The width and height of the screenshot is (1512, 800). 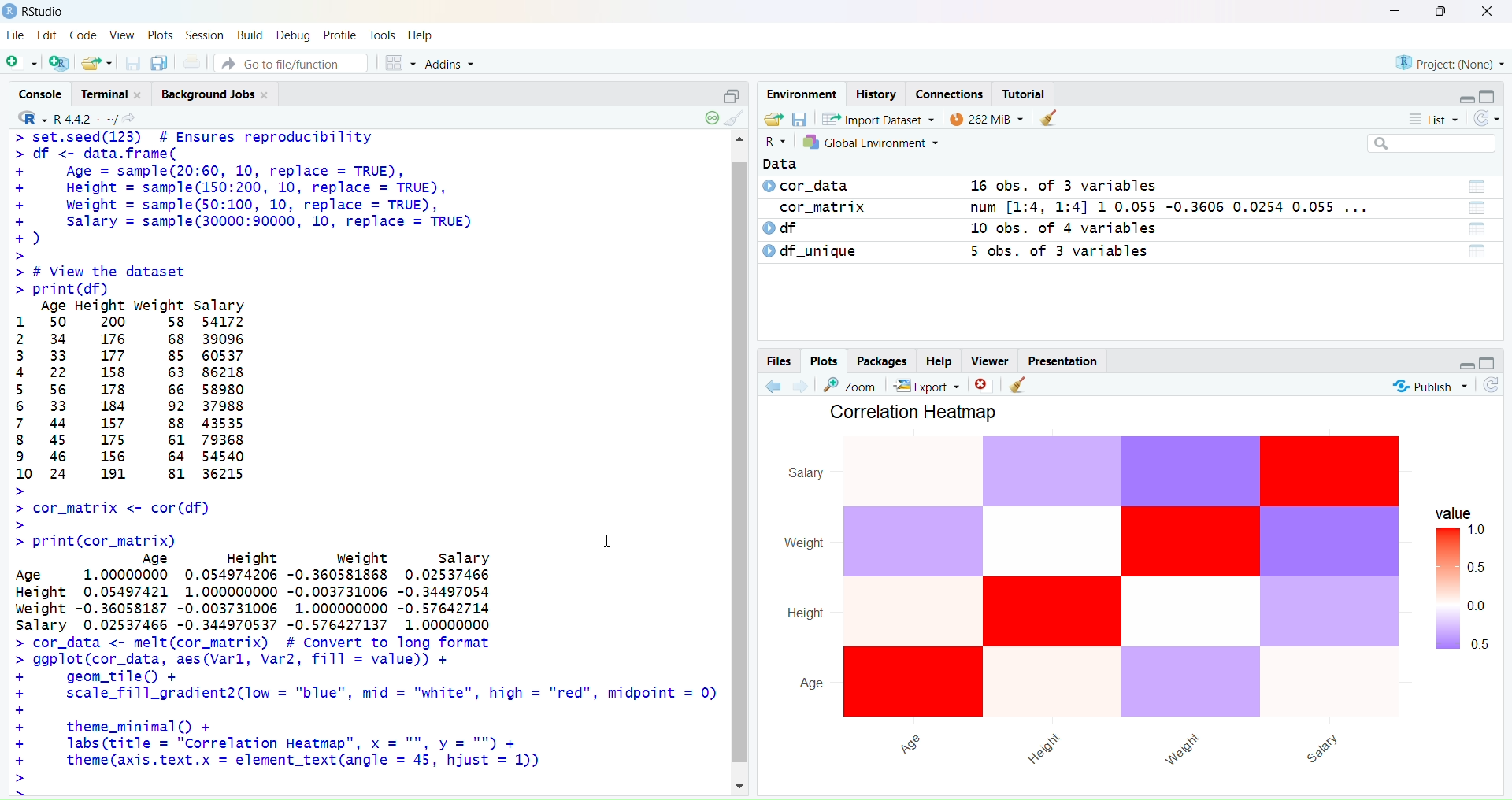 What do you see at coordinates (743, 783) in the screenshot?
I see `Down` at bounding box center [743, 783].